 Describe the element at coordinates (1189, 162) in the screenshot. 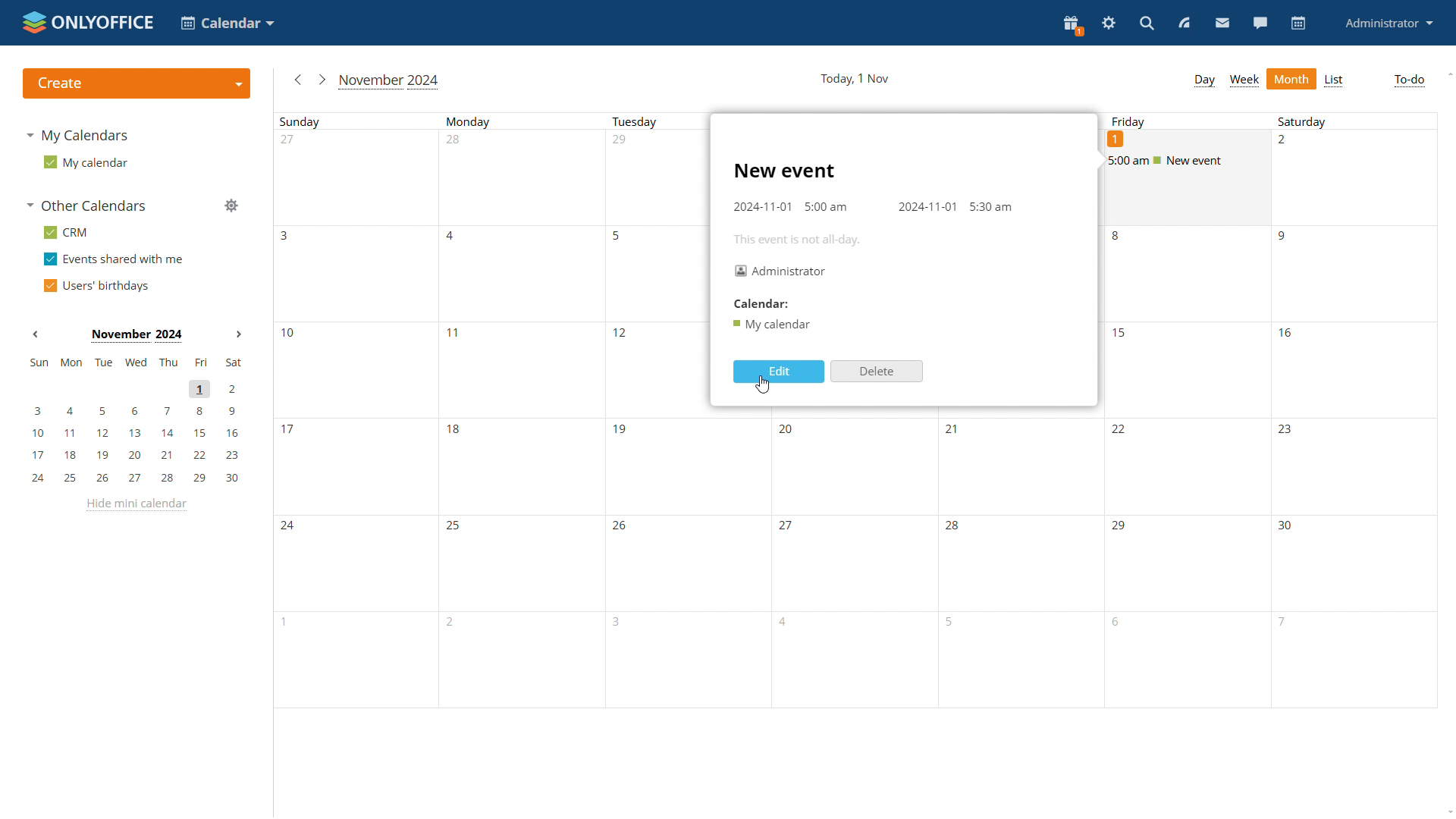

I see `existing event on friday 1st november` at that location.